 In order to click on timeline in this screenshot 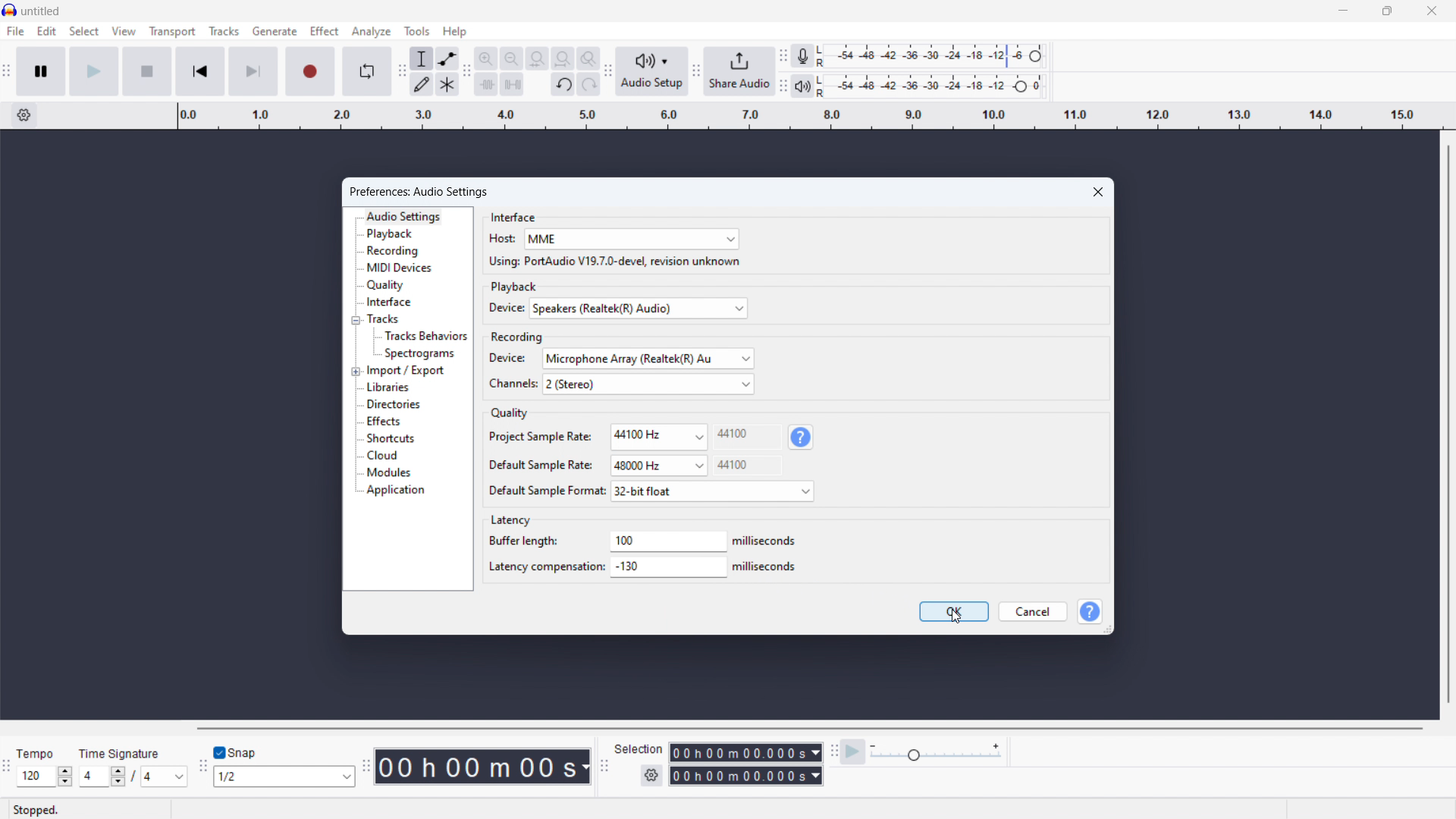, I will do `click(807, 116)`.